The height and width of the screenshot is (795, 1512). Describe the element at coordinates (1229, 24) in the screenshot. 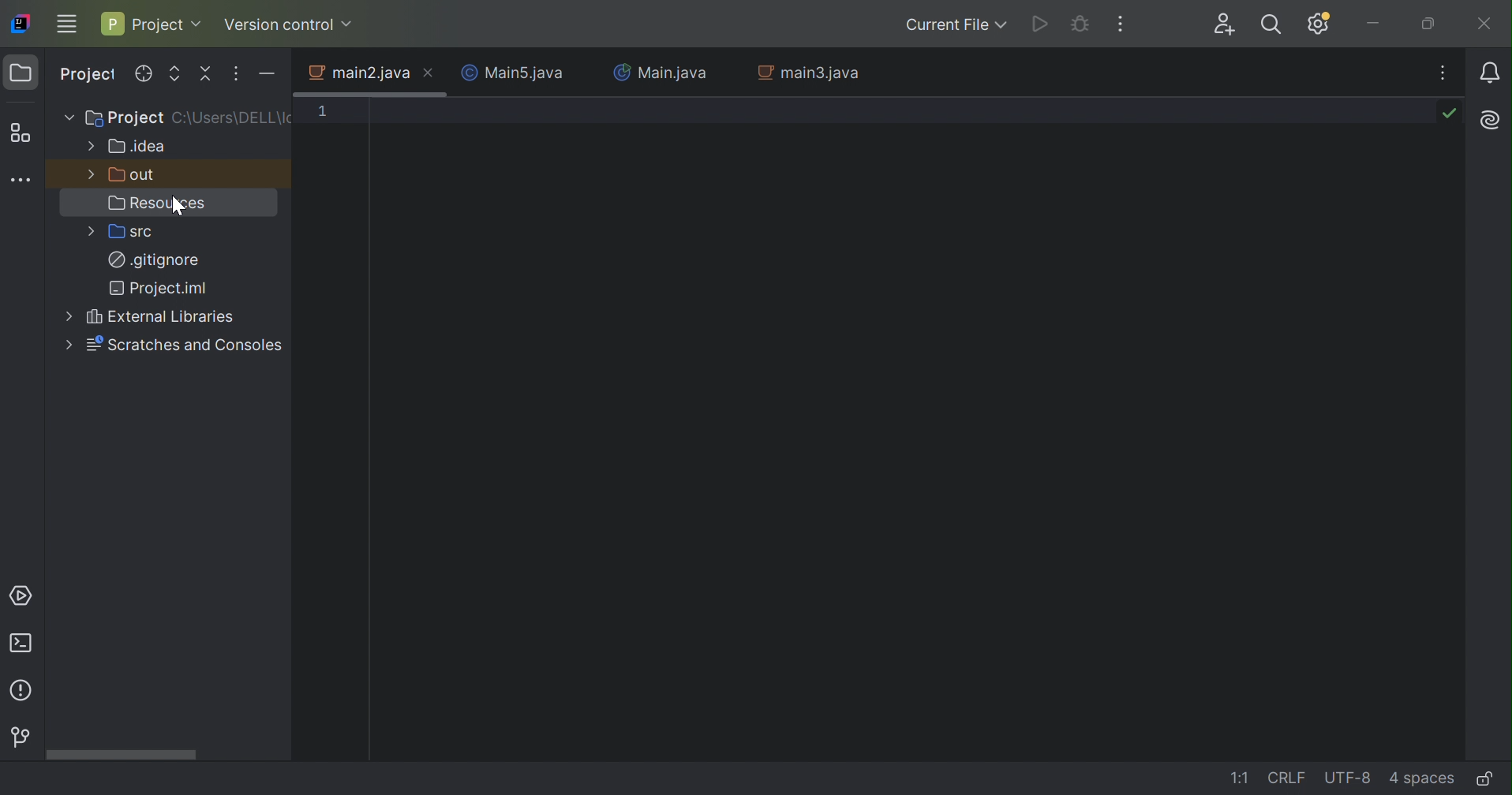

I see `Code with me` at that location.